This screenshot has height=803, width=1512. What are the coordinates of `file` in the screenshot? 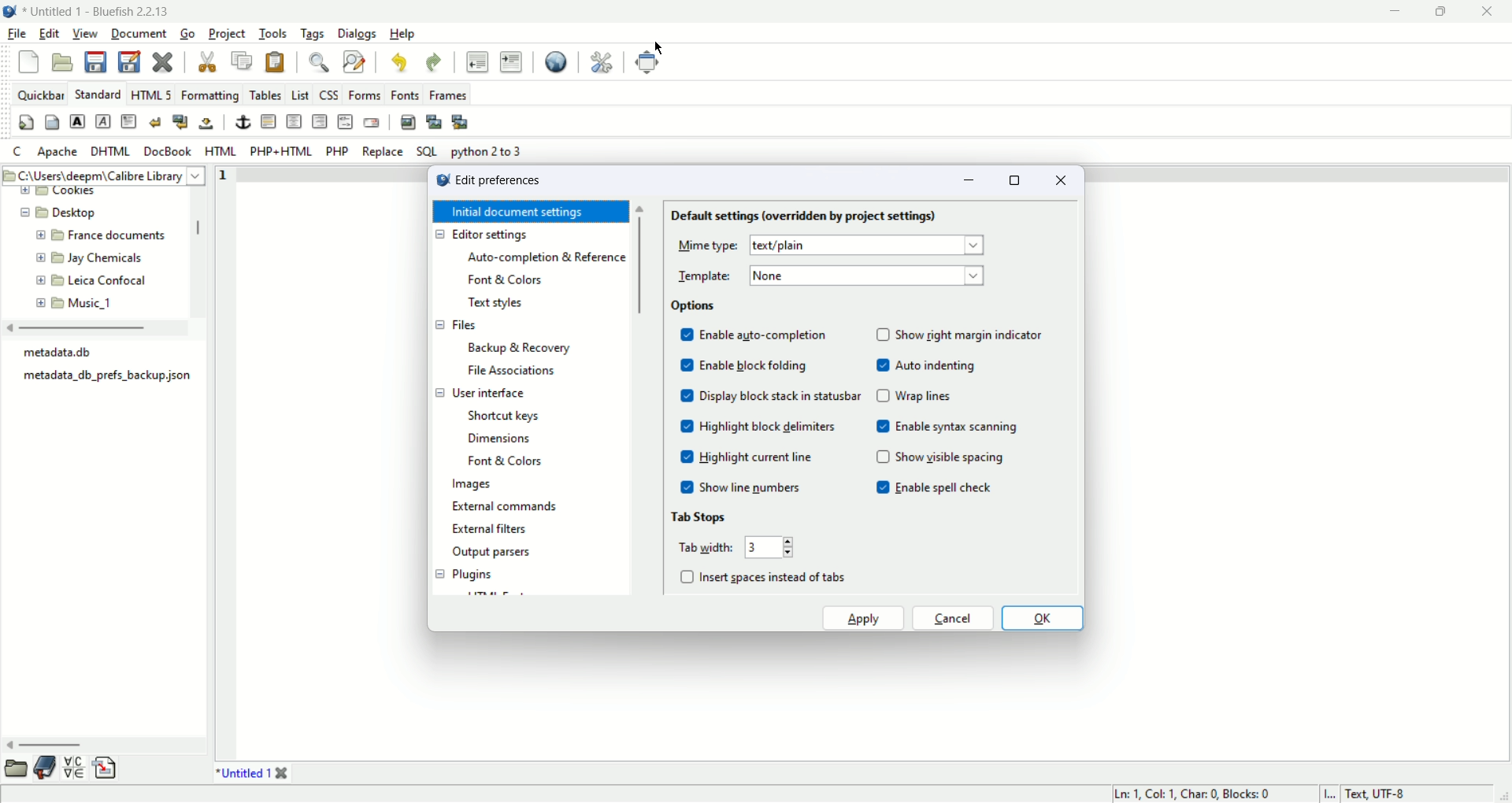 It's located at (17, 34).